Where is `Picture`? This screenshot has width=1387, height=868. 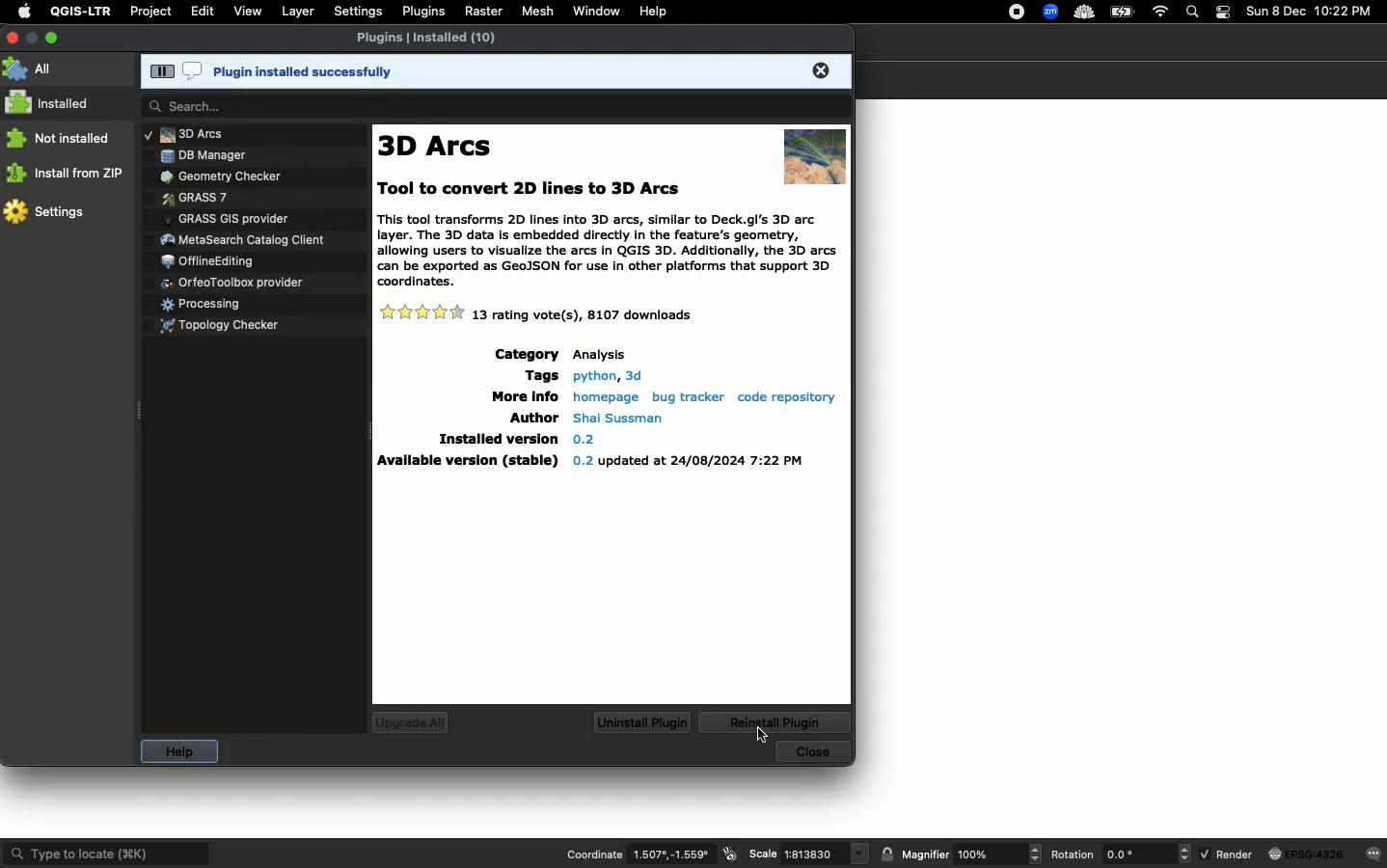 Picture is located at coordinates (812, 154).